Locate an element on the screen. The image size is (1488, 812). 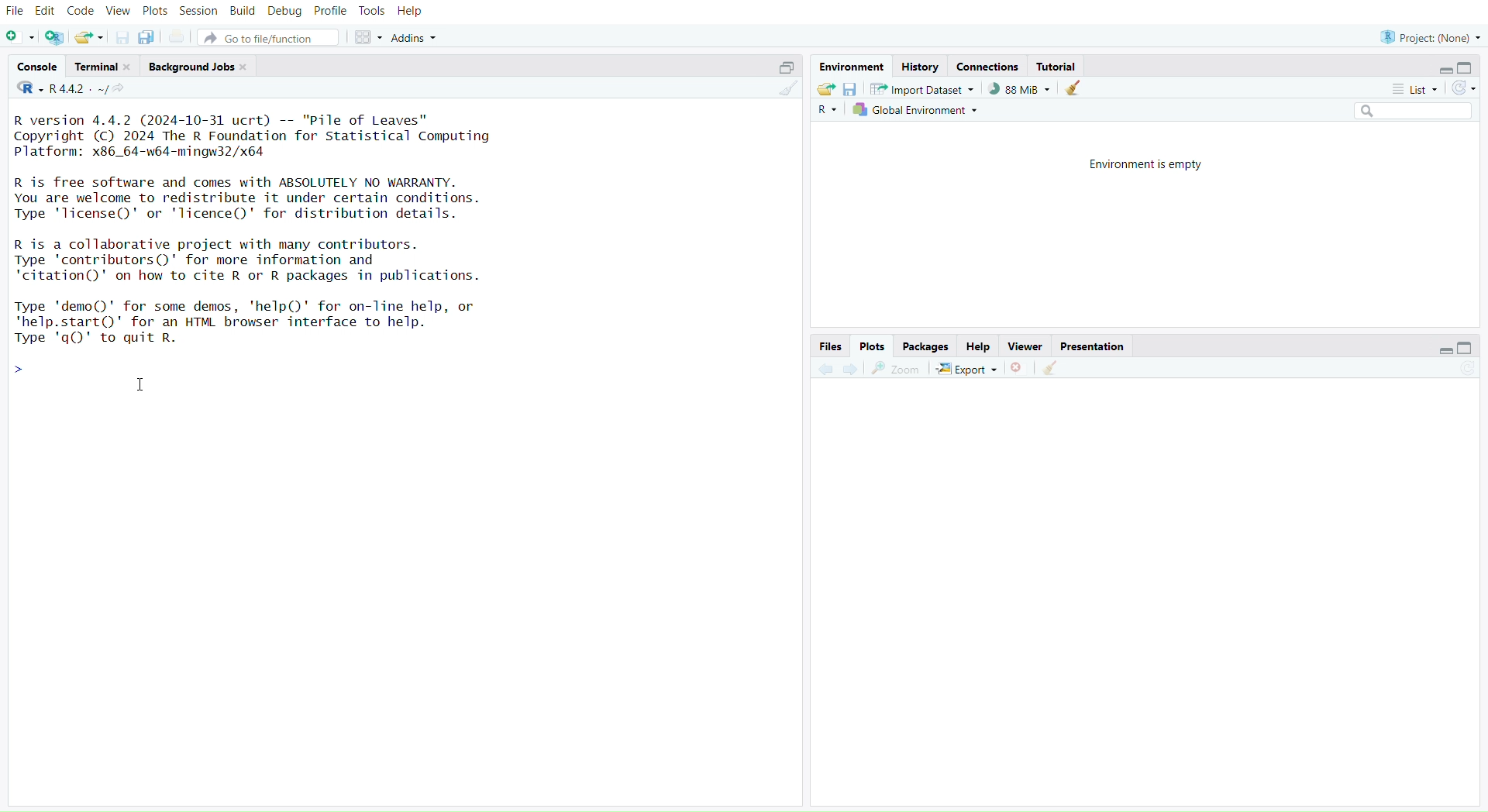
refresh current plot is located at coordinates (1466, 370).